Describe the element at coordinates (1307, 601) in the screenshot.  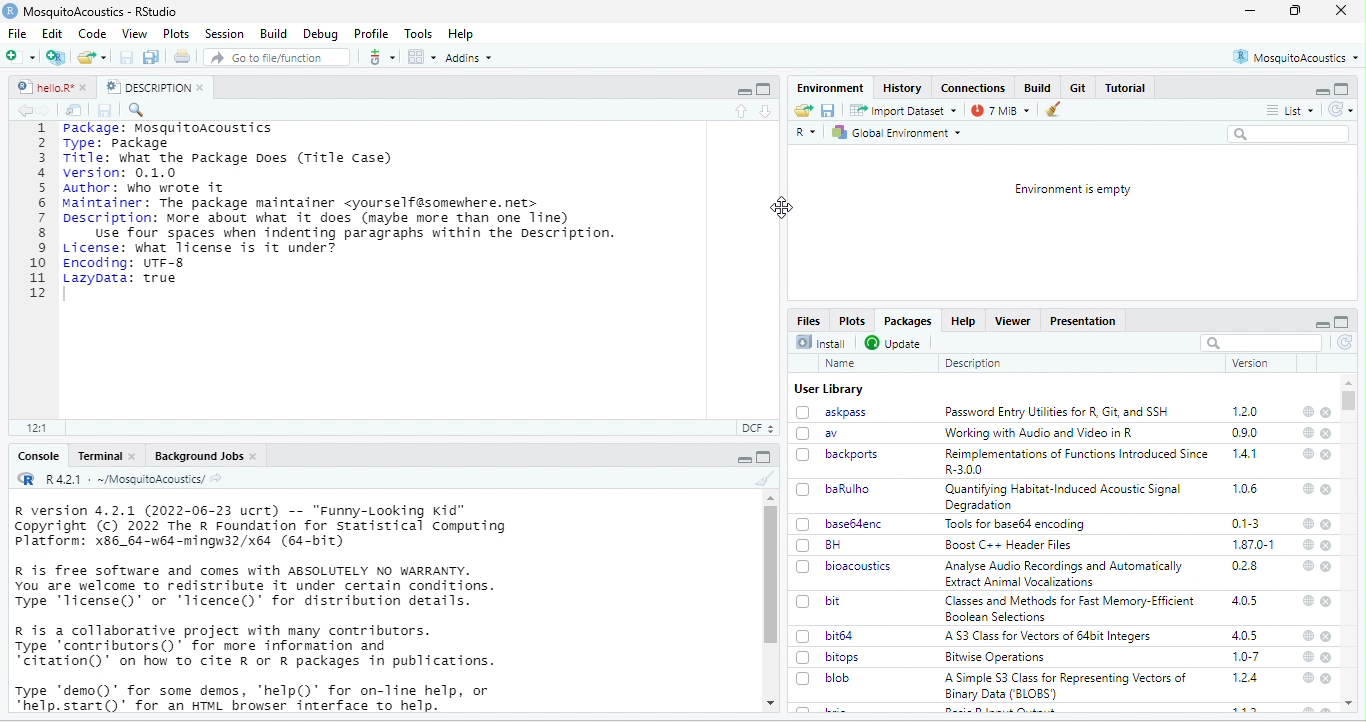
I see `help` at that location.